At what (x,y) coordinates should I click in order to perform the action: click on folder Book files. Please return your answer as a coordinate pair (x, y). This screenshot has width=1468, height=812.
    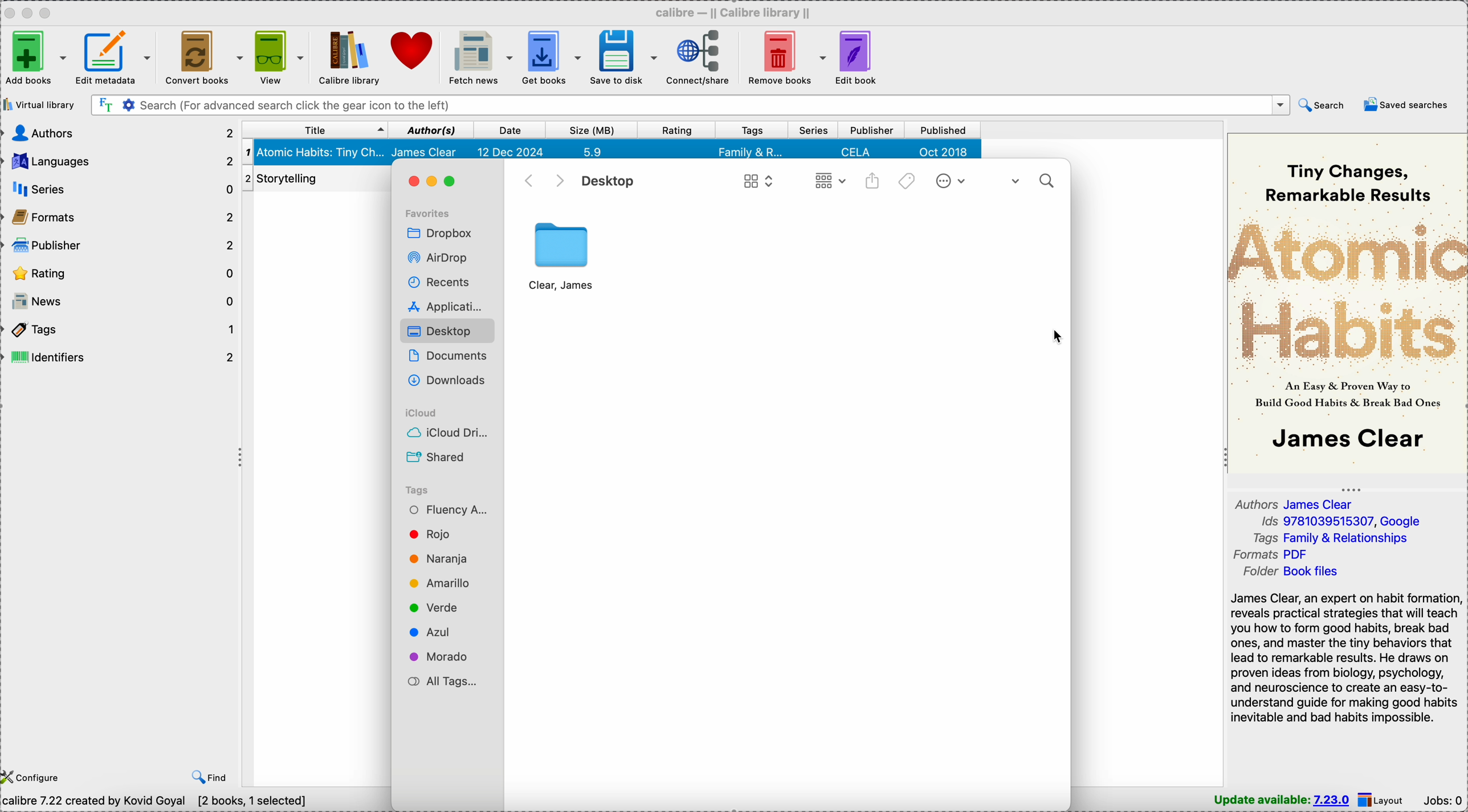
    Looking at the image, I should click on (1292, 572).